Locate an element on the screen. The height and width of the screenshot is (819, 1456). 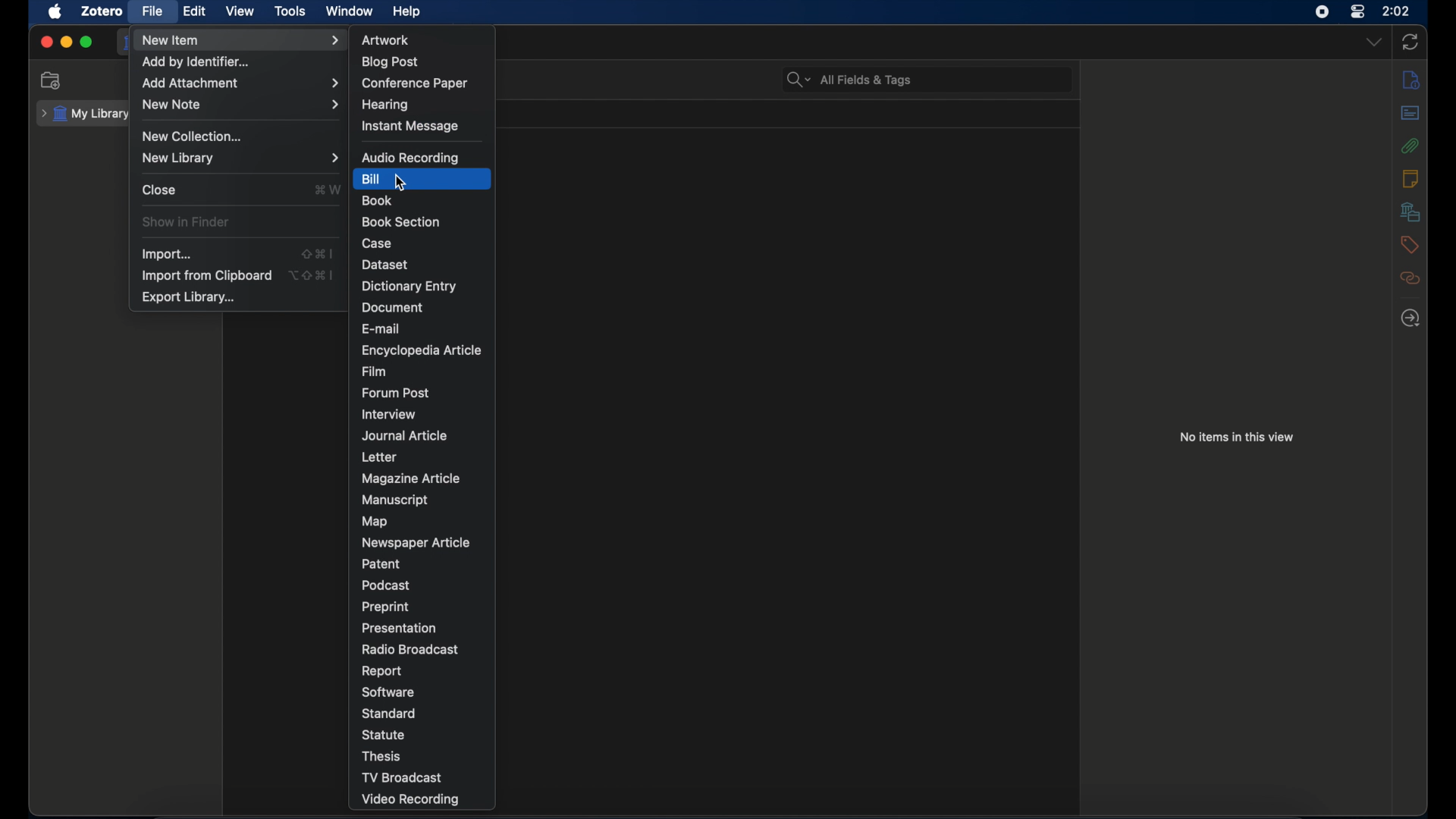
help is located at coordinates (406, 12).